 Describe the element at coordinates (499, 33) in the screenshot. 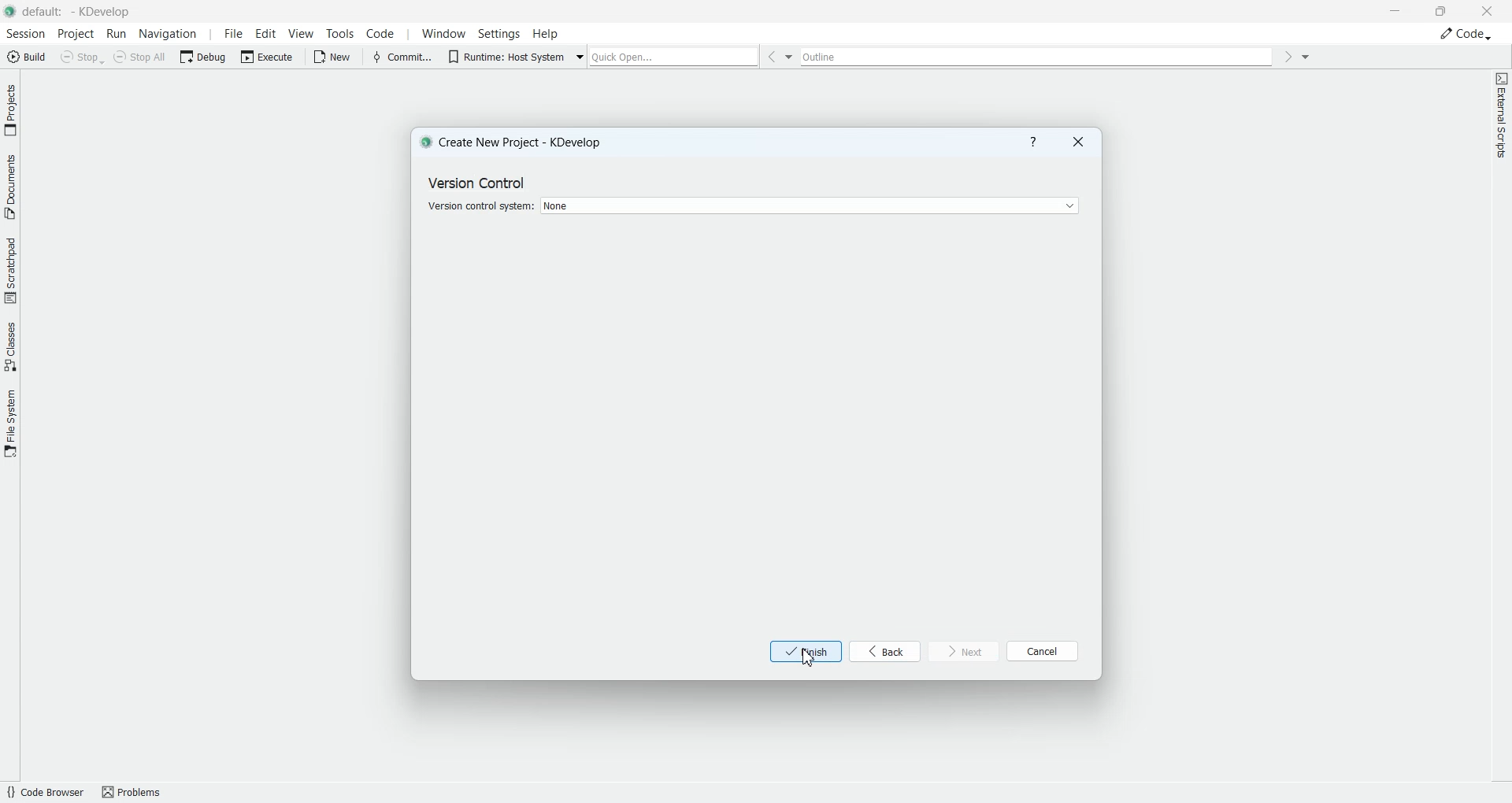

I see `Settings` at that location.